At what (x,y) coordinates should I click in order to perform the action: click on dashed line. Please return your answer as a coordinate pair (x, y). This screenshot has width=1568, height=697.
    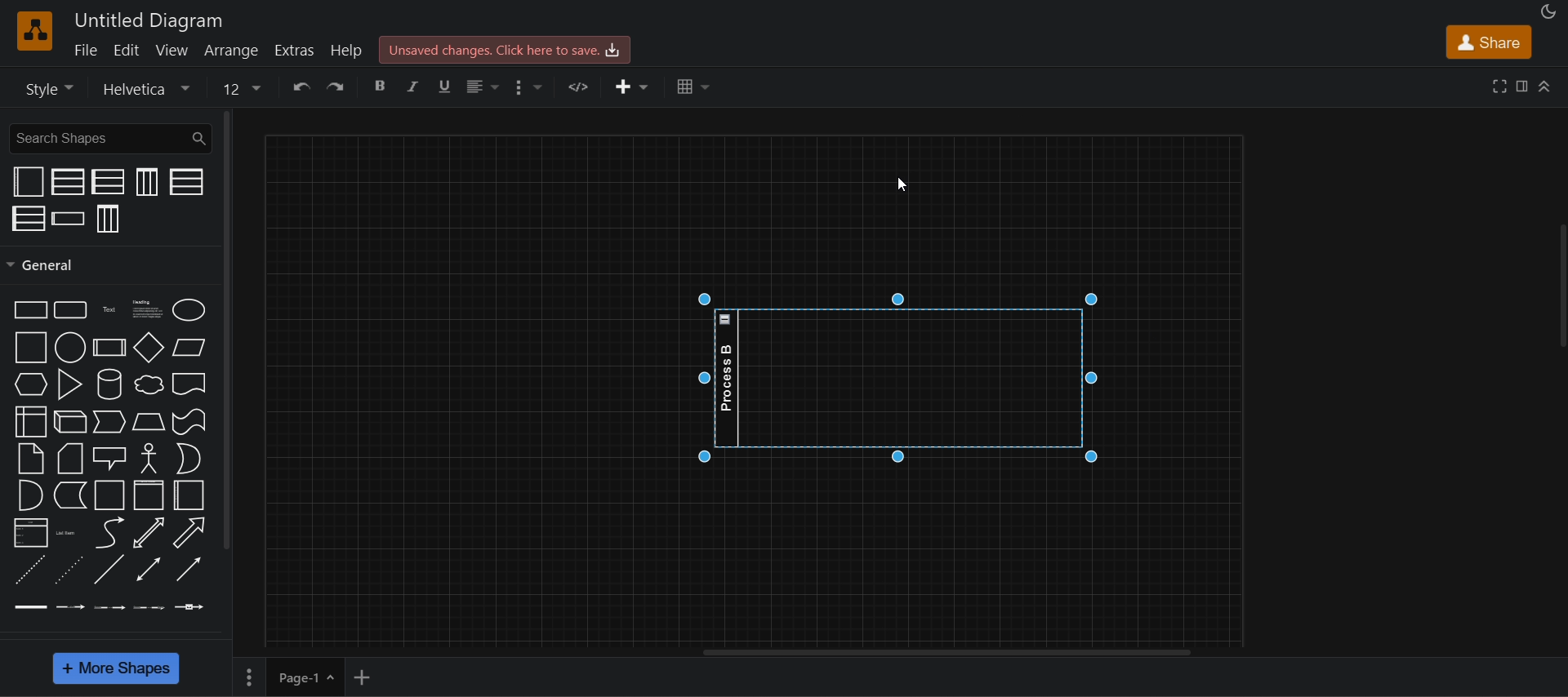
    Looking at the image, I should click on (27, 570).